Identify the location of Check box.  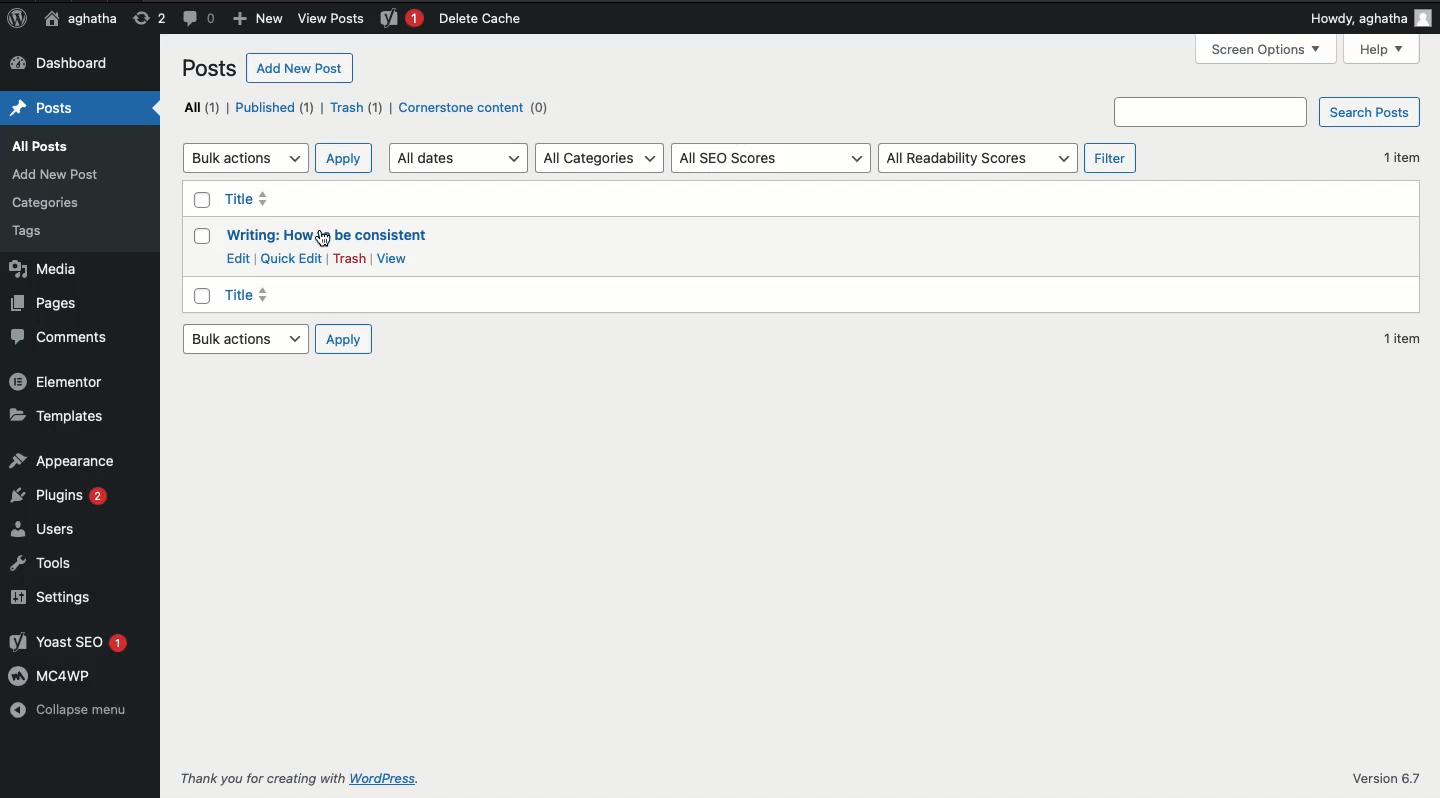
(201, 200).